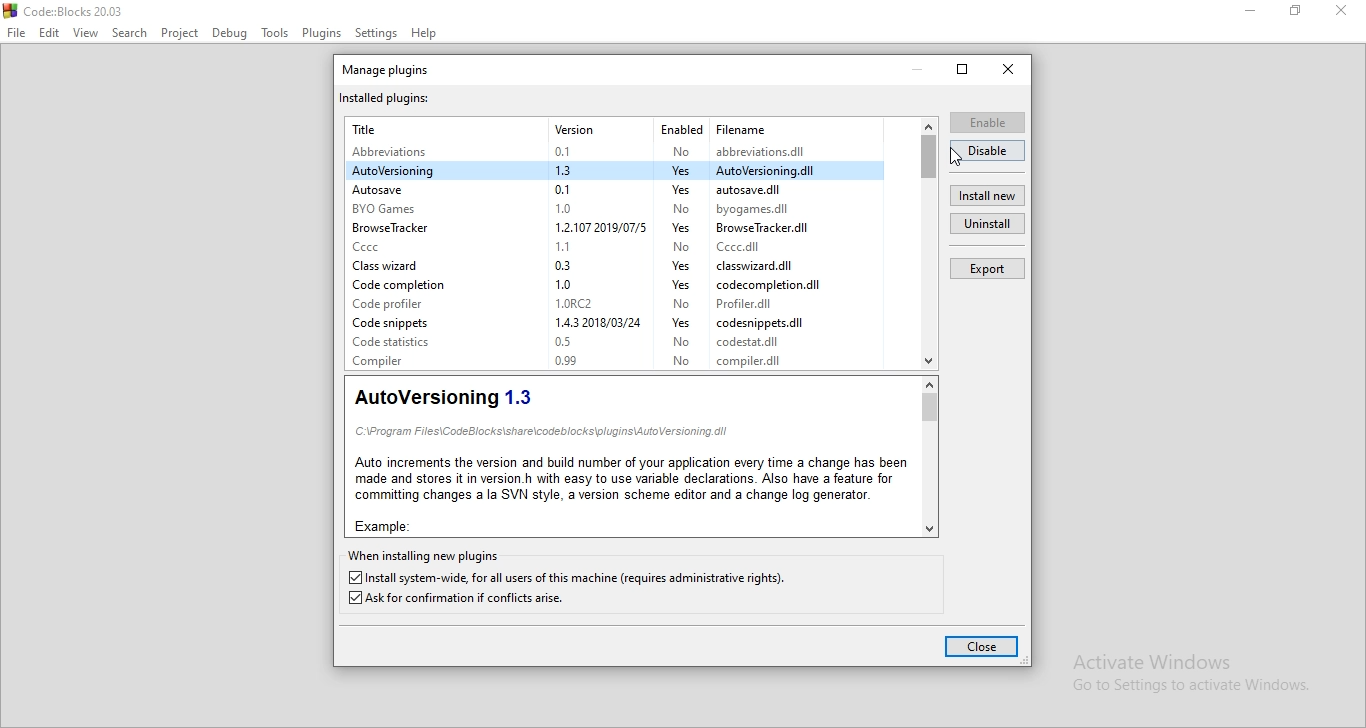  I want to click on Cccc, so click(399, 246).